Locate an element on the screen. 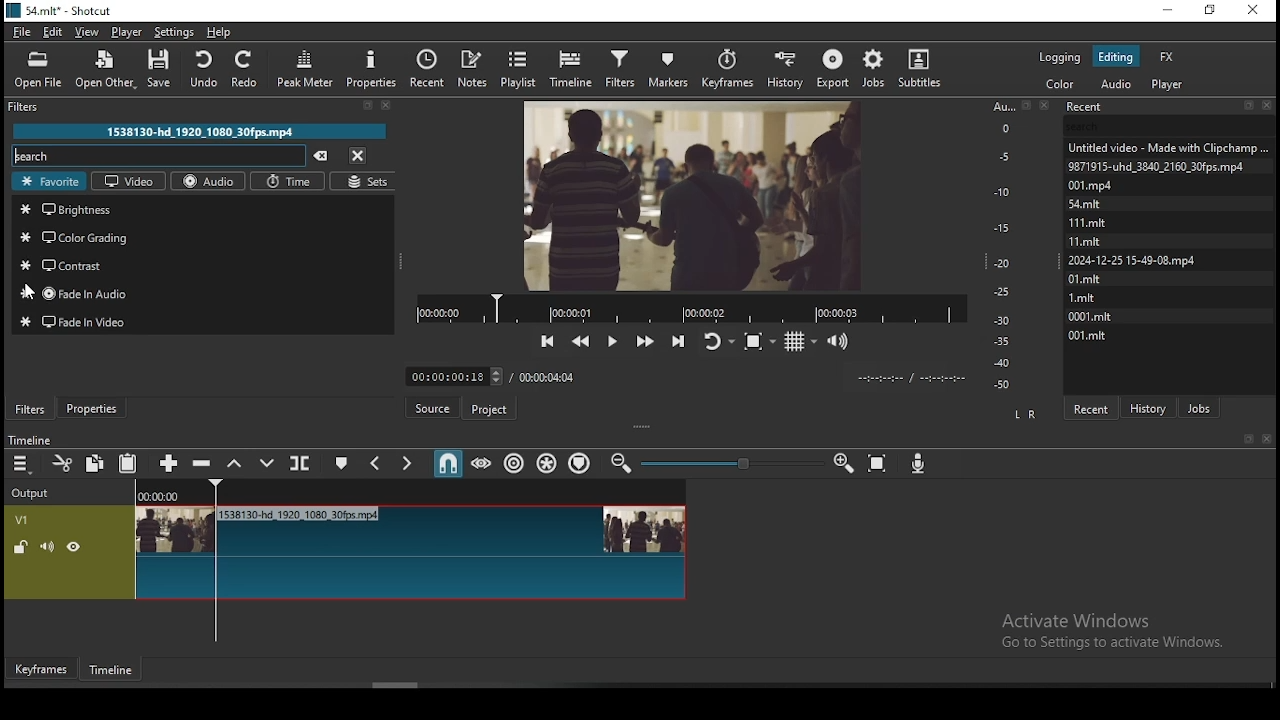 The height and width of the screenshot is (720, 1280). split at playhead is located at coordinates (300, 462).